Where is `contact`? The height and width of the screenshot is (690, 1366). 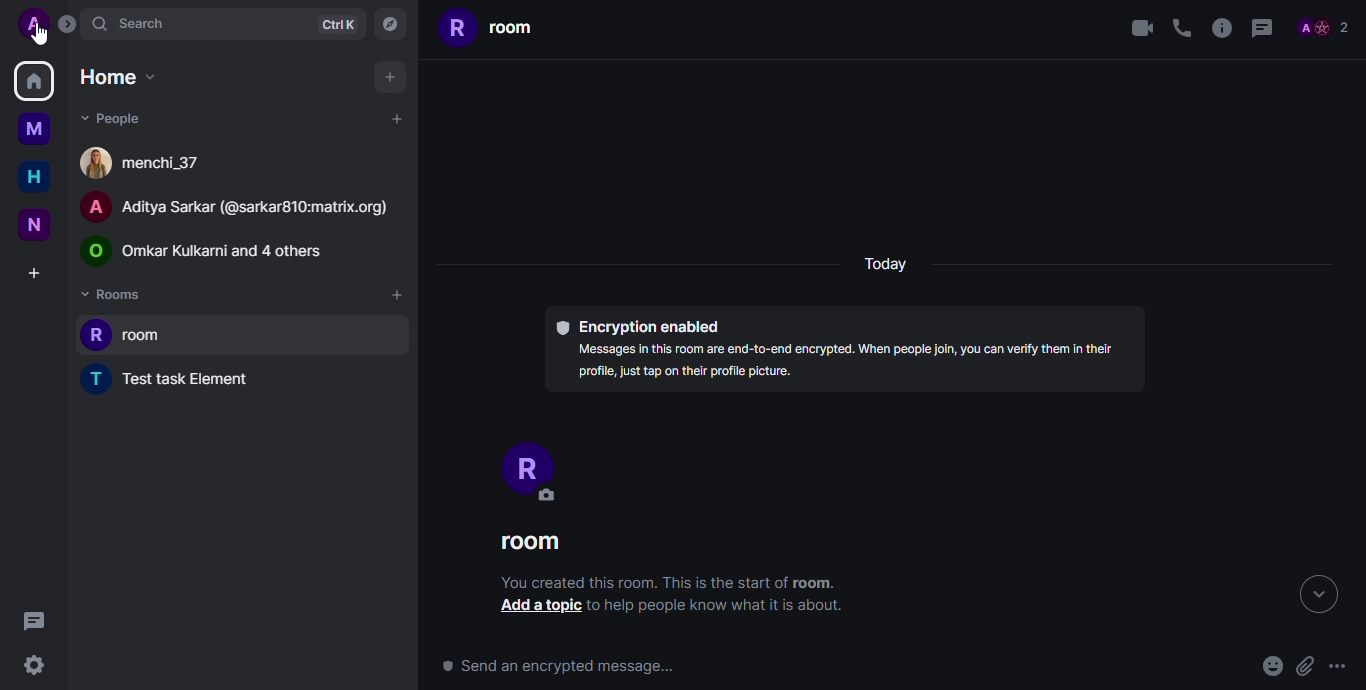
contact is located at coordinates (236, 205).